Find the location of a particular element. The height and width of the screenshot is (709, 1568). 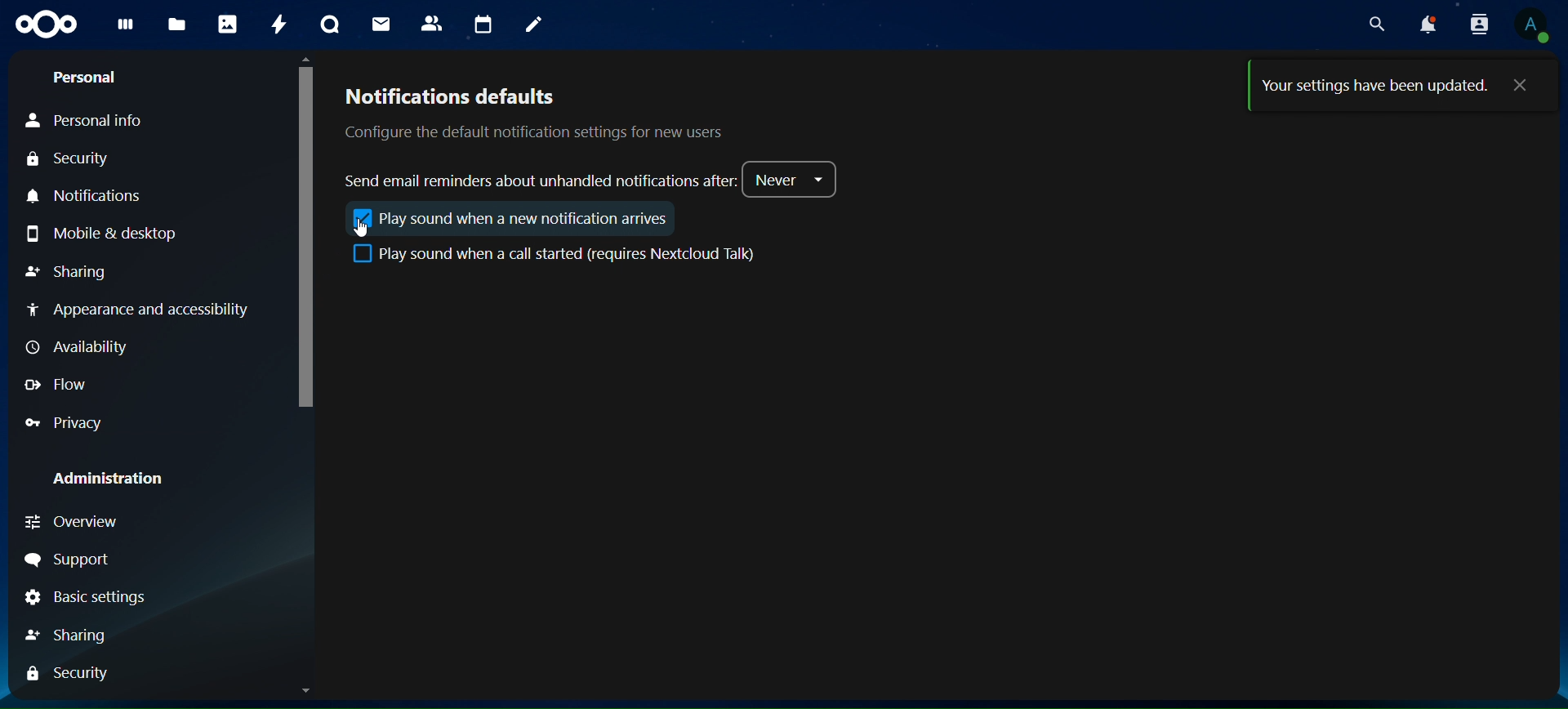

Cursor is located at coordinates (366, 230).